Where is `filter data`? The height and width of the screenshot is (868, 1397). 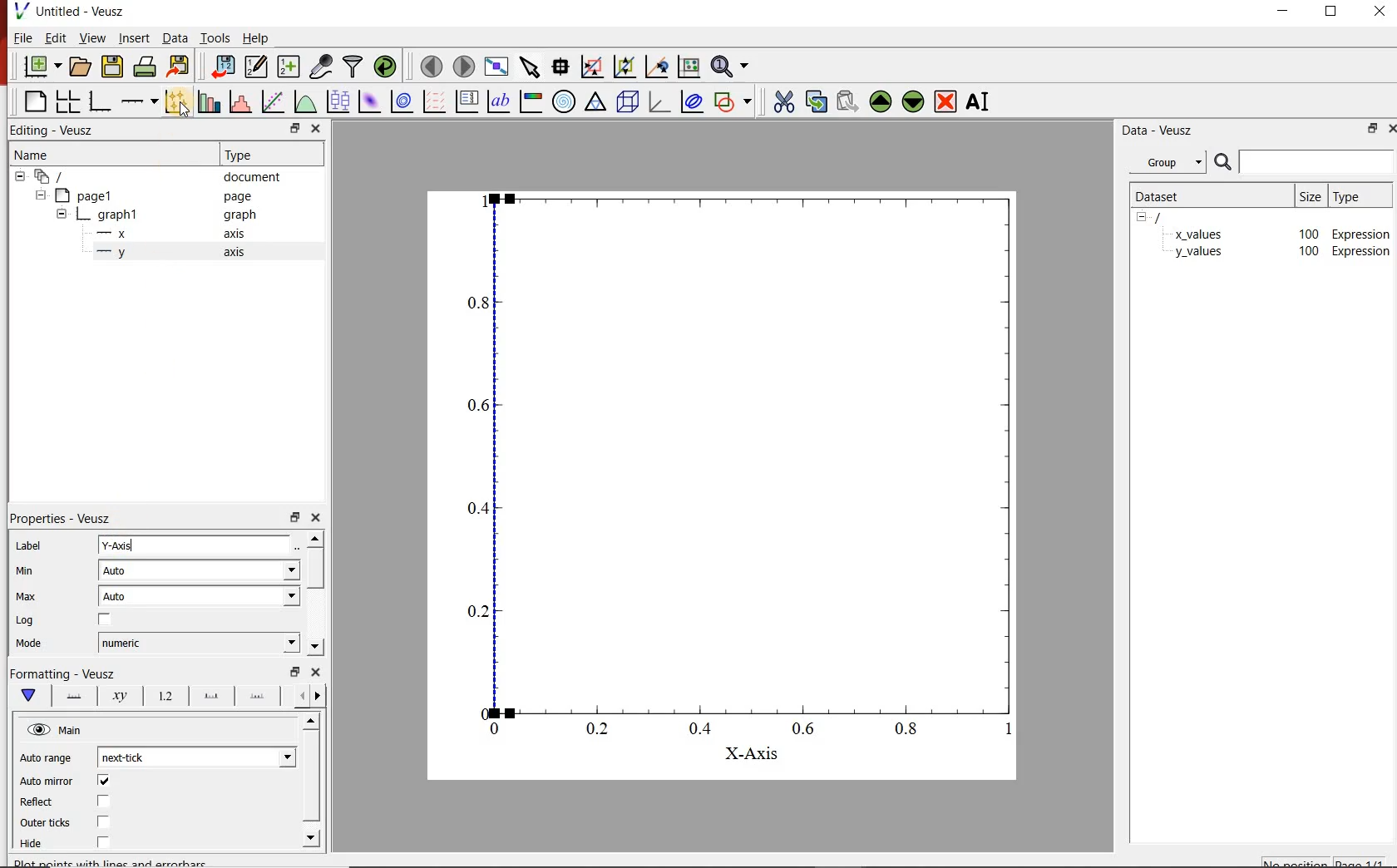 filter data is located at coordinates (353, 67).